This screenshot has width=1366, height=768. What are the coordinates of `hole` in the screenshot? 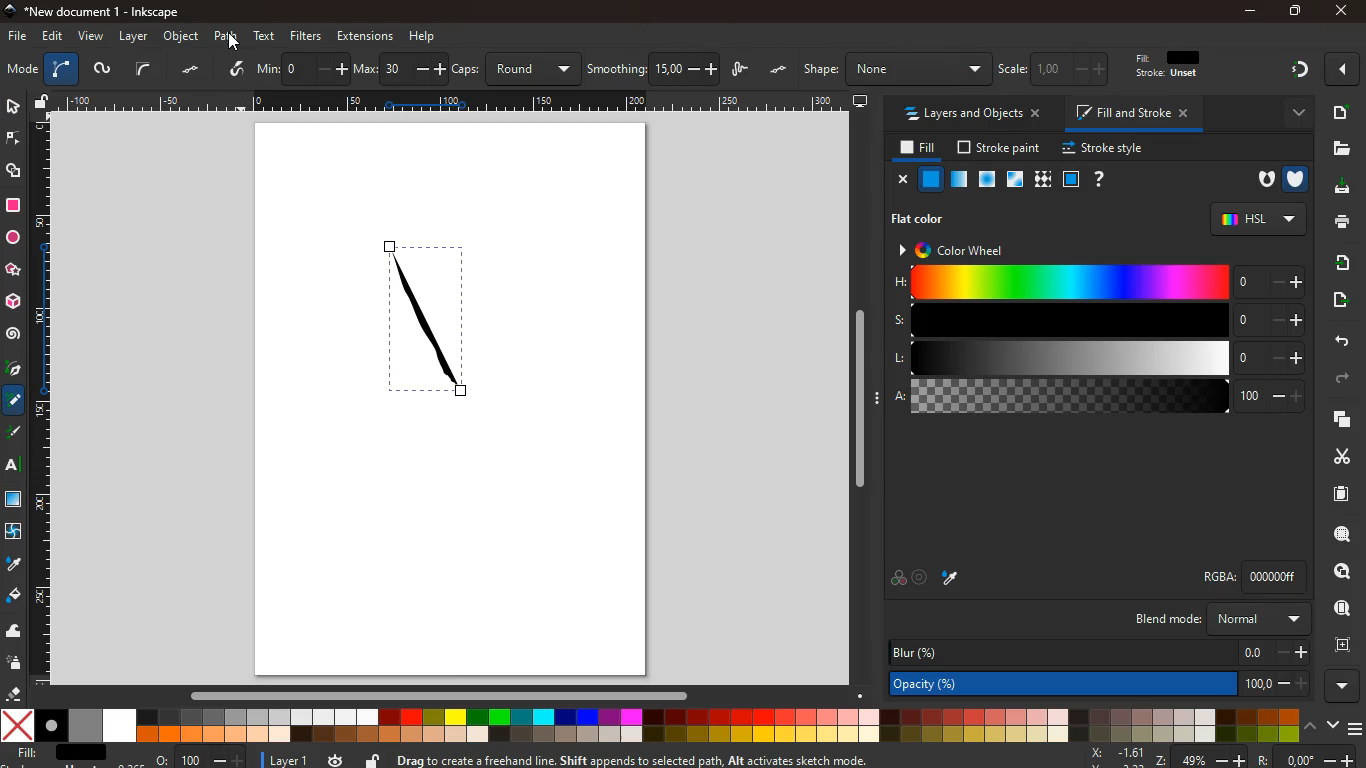 It's located at (1260, 182).